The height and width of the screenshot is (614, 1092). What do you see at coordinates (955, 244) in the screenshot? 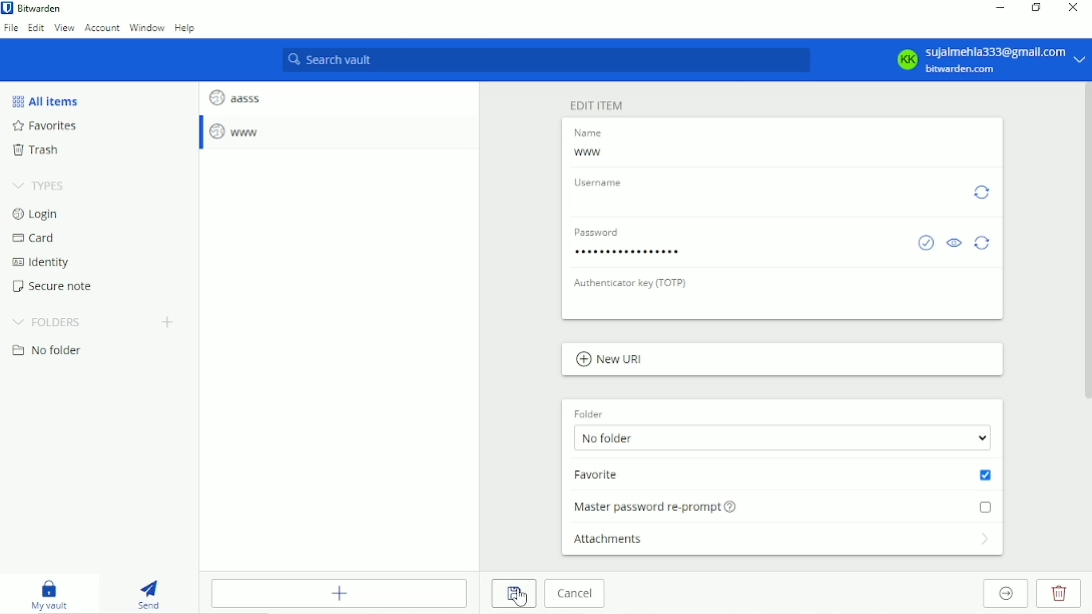
I see `Toggle visibility` at bounding box center [955, 244].